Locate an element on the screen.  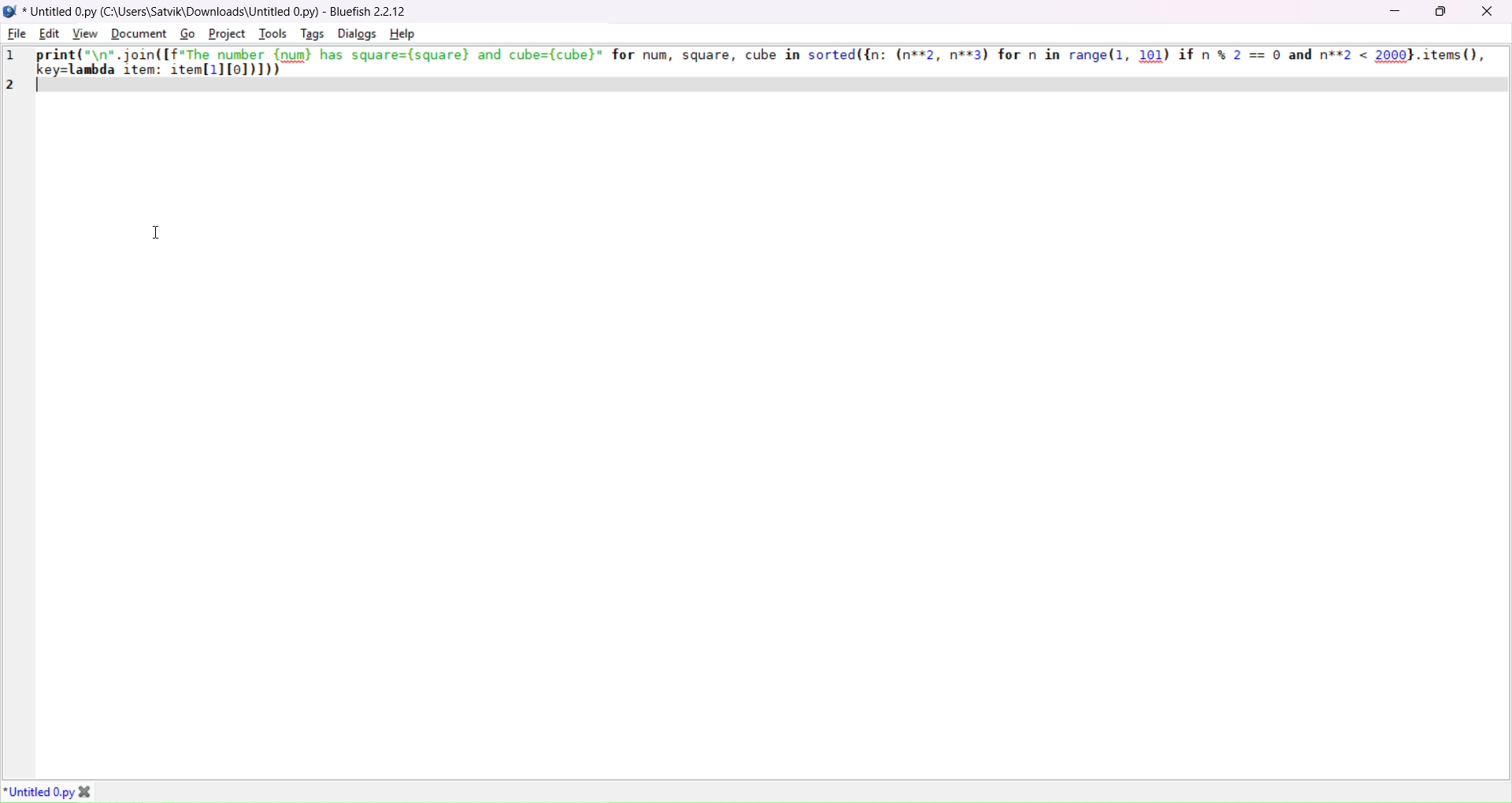
2 is located at coordinates (13, 84).